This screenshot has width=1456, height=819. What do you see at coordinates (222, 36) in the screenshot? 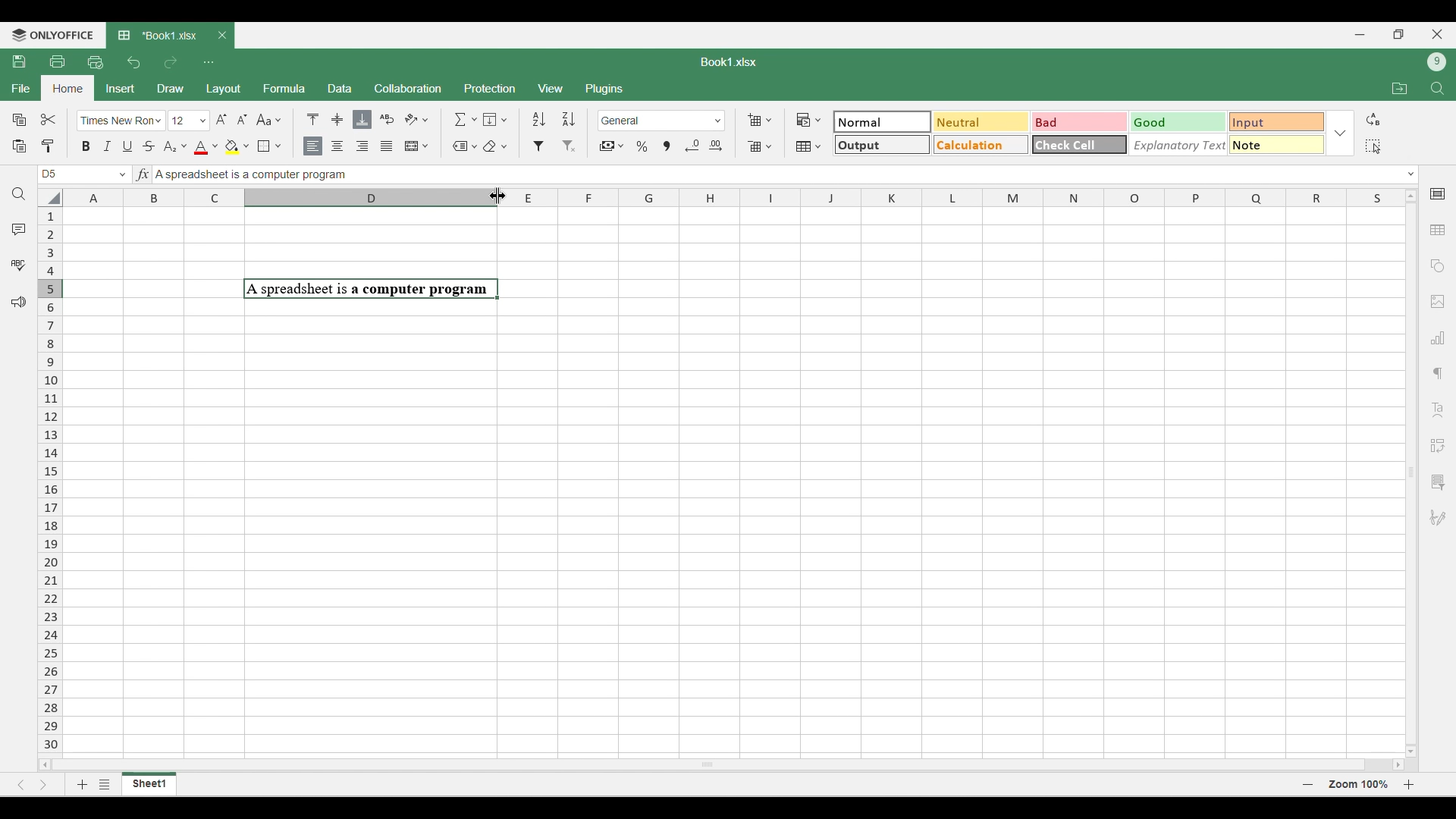
I see `Close tab` at bounding box center [222, 36].